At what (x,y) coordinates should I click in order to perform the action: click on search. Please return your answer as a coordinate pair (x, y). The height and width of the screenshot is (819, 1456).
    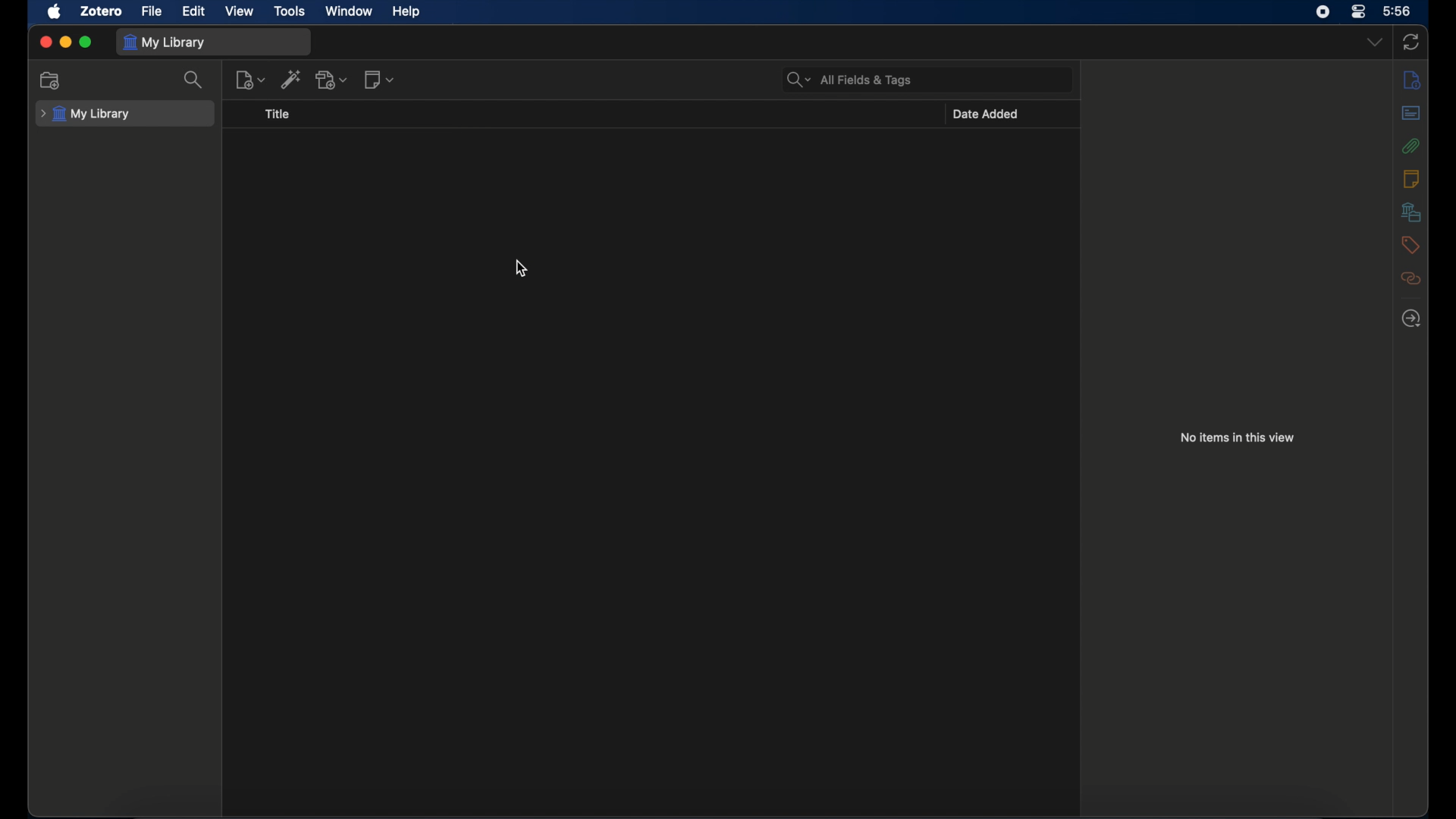
    Looking at the image, I should click on (194, 80).